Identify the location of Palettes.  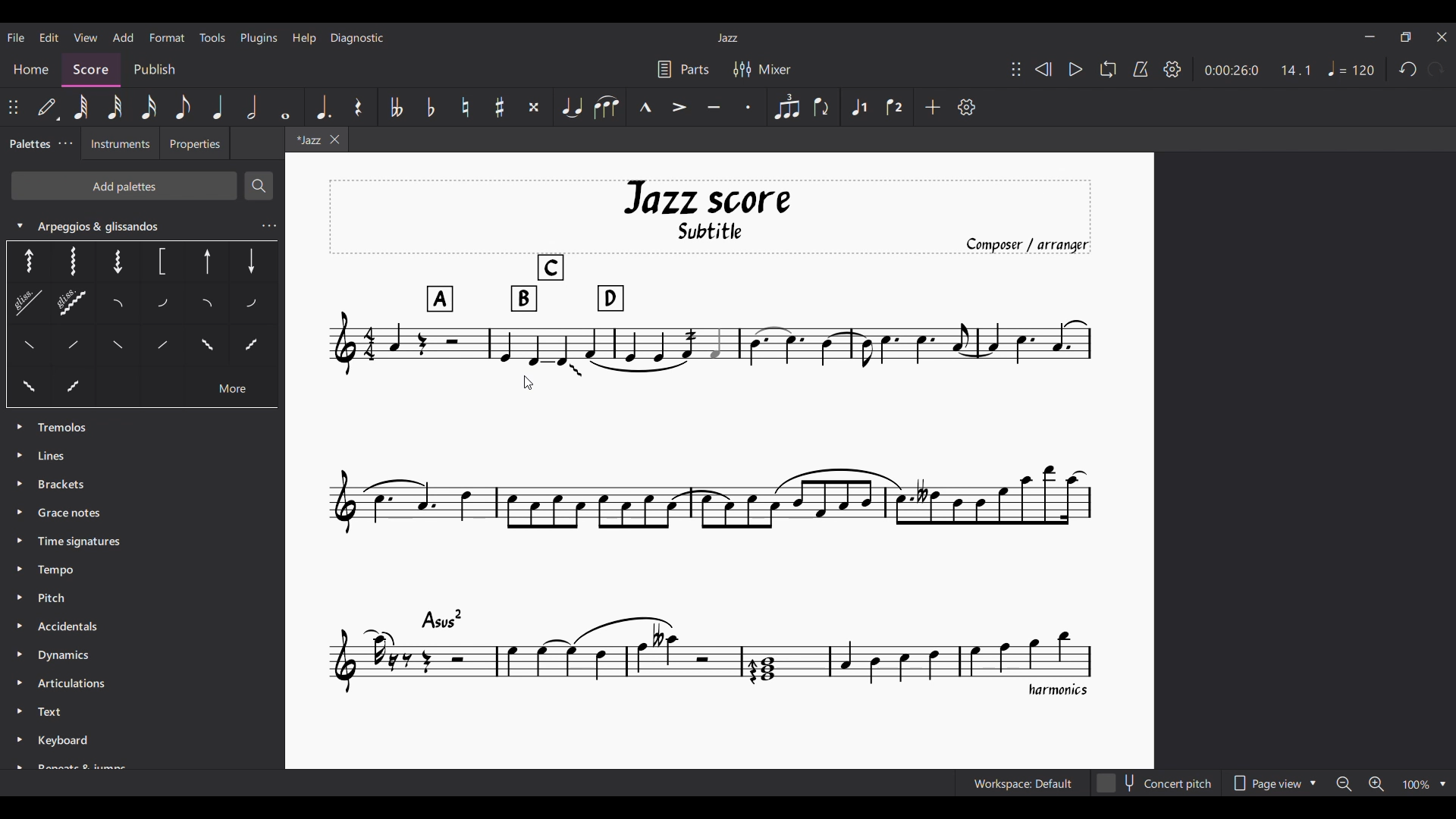
(27, 145).